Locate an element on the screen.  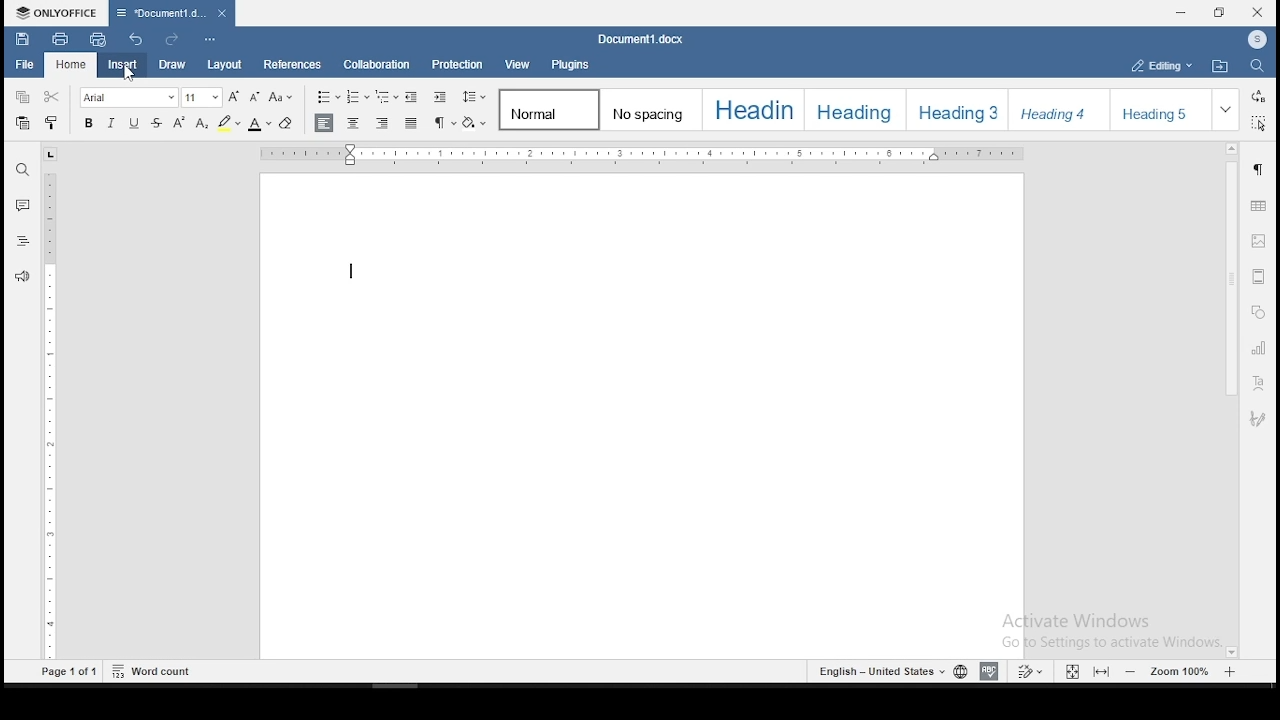
copy is located at coordinates (23, 99).